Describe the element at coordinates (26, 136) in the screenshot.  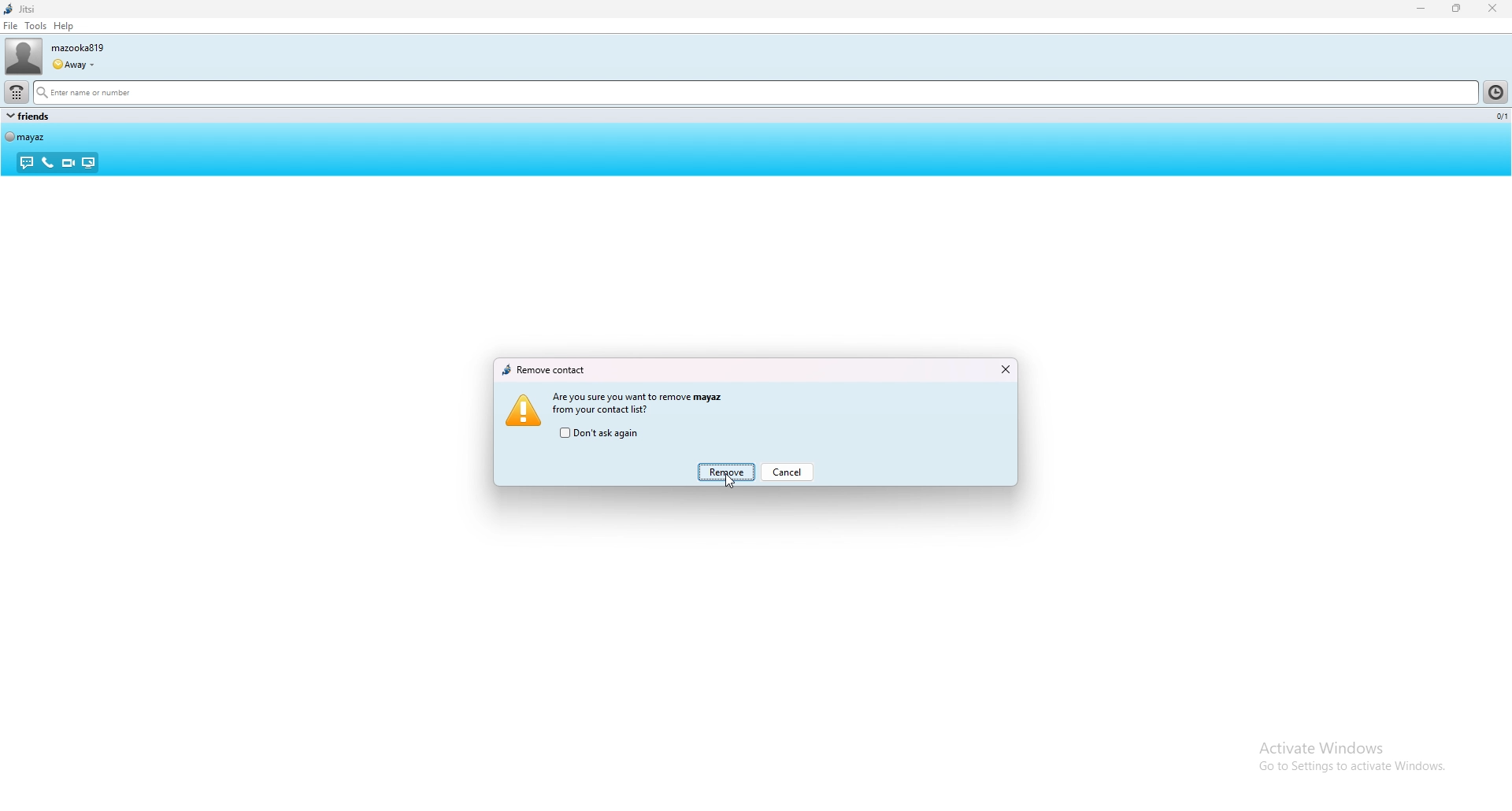
I see `contact` at that location.